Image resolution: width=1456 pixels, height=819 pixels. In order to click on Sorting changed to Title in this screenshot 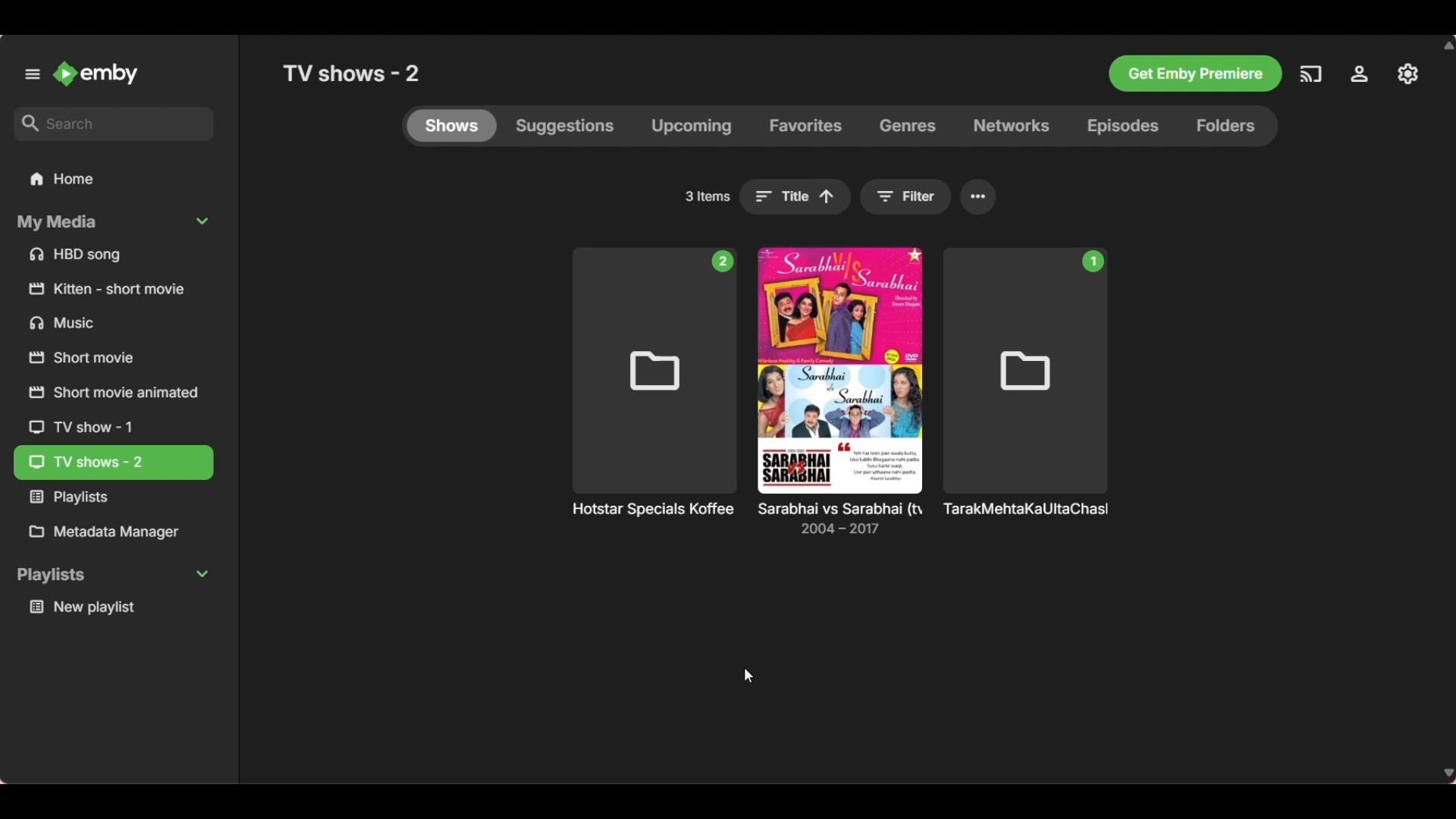, I will do `click(795, 197)`.